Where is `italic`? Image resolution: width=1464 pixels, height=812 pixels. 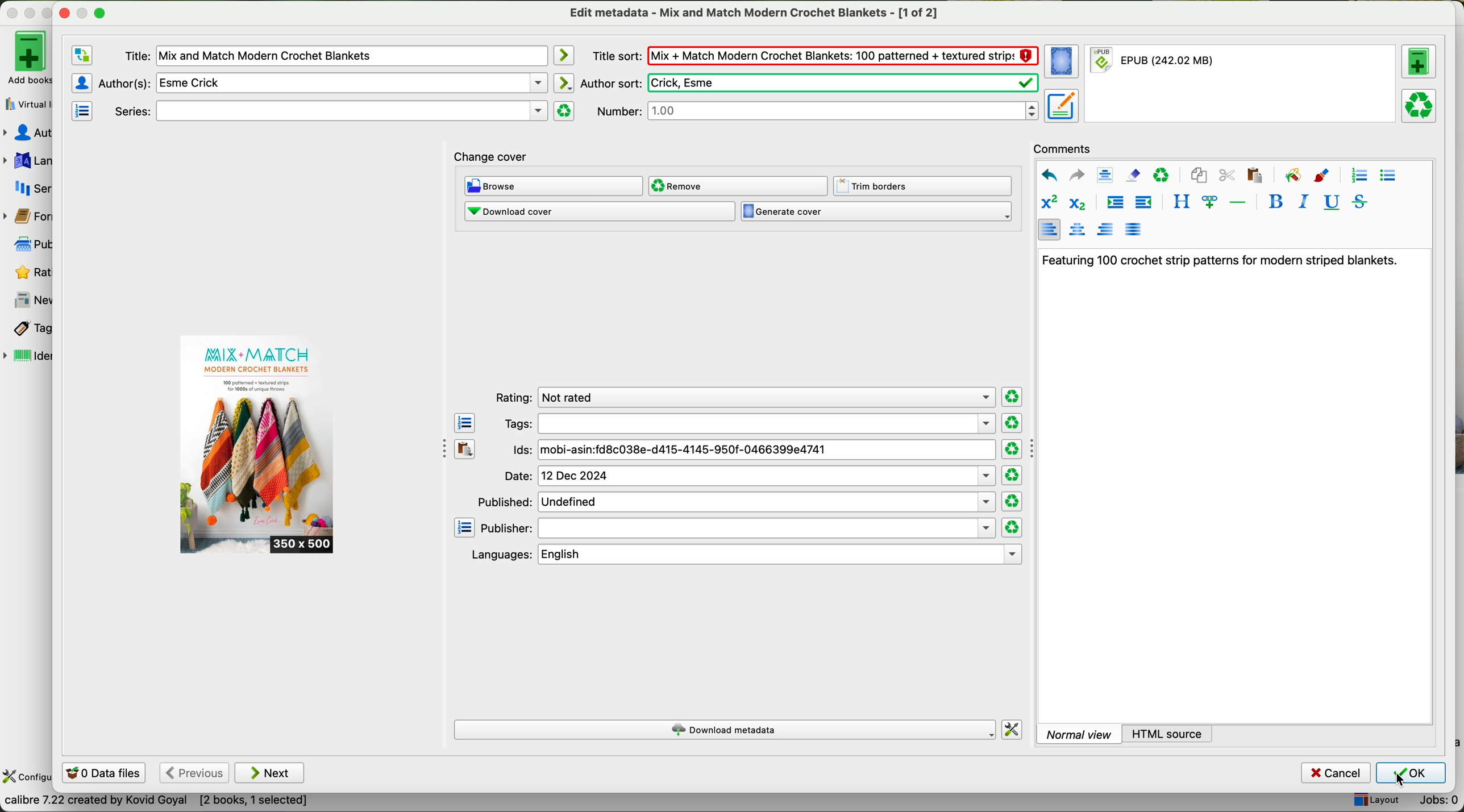 italic is located at coordinates (1301, 201).